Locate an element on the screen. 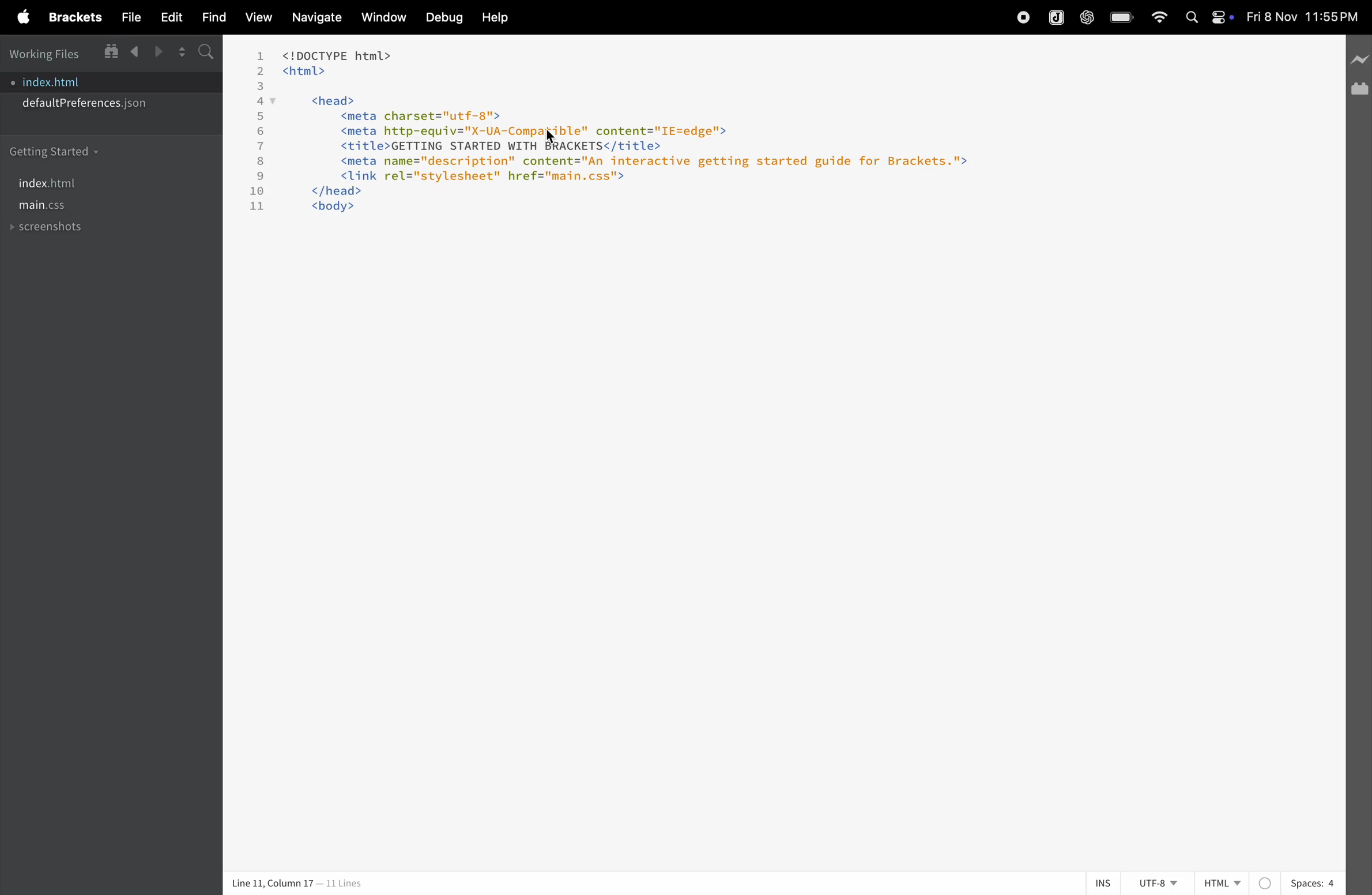 The image size is (1372, 895). backward is located at coordinates (133, 52).